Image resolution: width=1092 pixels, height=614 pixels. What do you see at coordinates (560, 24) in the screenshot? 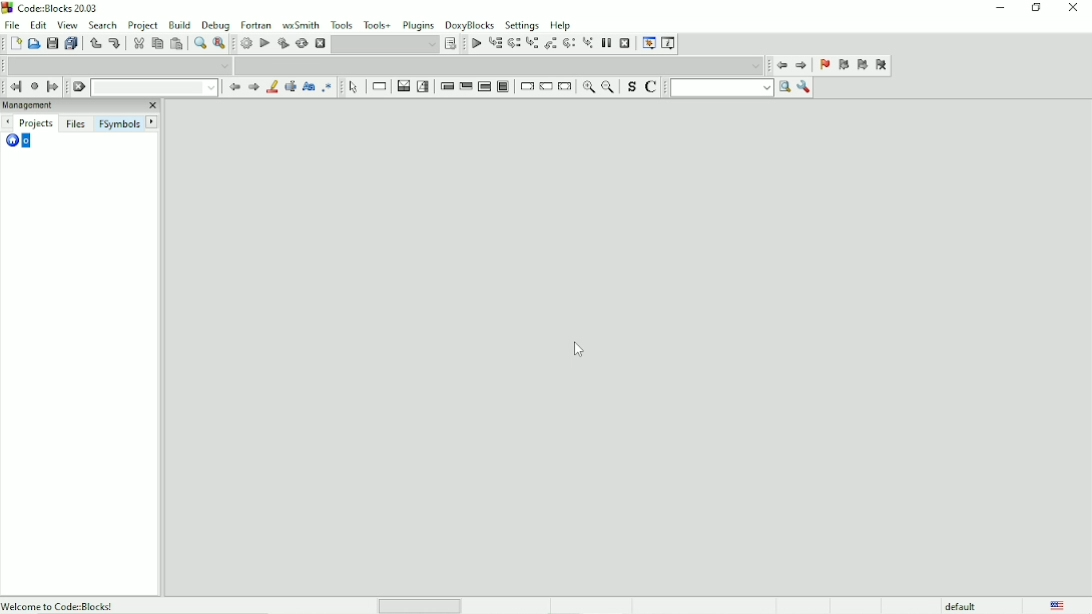
I see `Help` at bounding box center [560, 24].